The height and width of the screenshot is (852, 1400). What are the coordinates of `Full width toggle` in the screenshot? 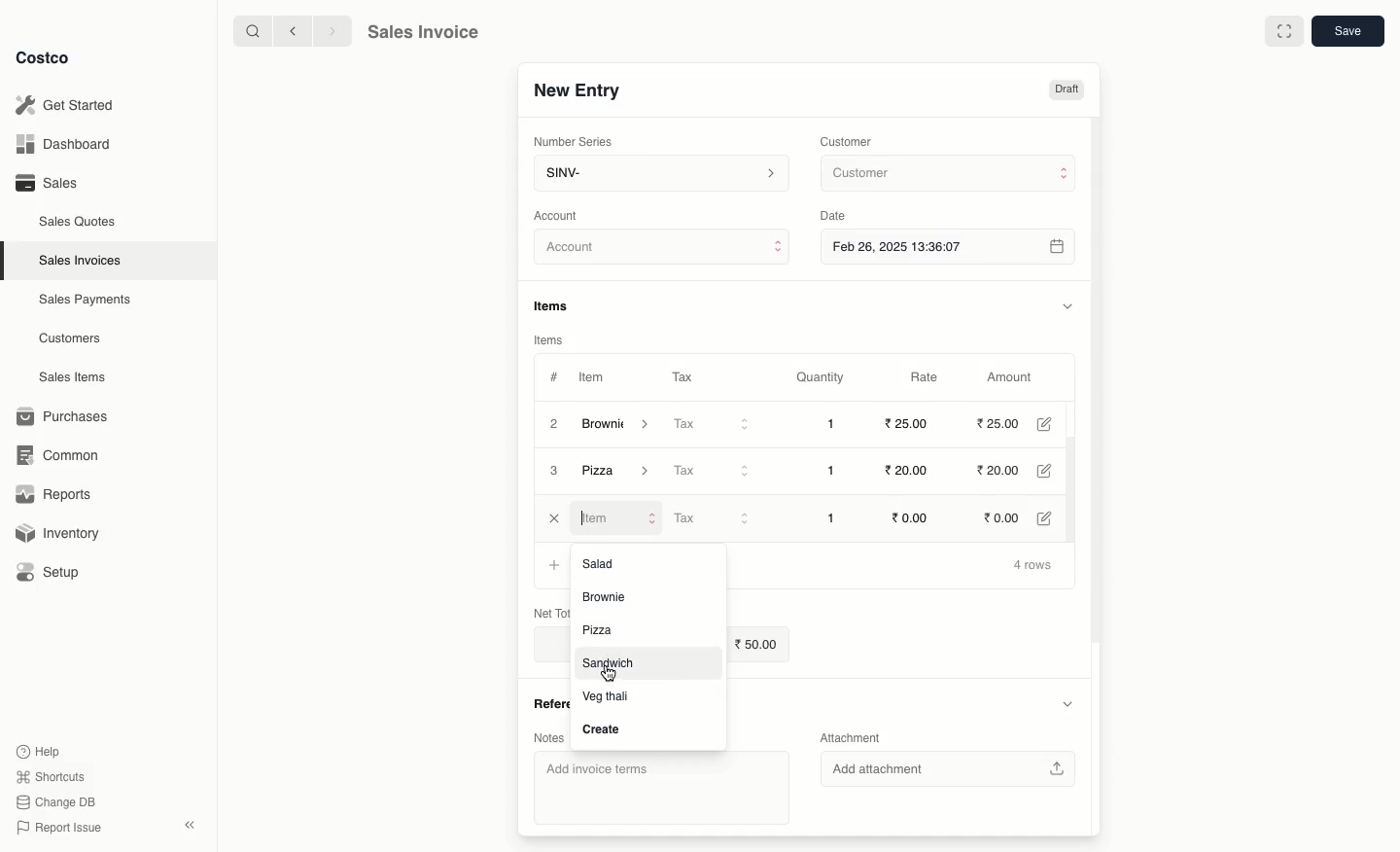 It's located at (1282, 32).